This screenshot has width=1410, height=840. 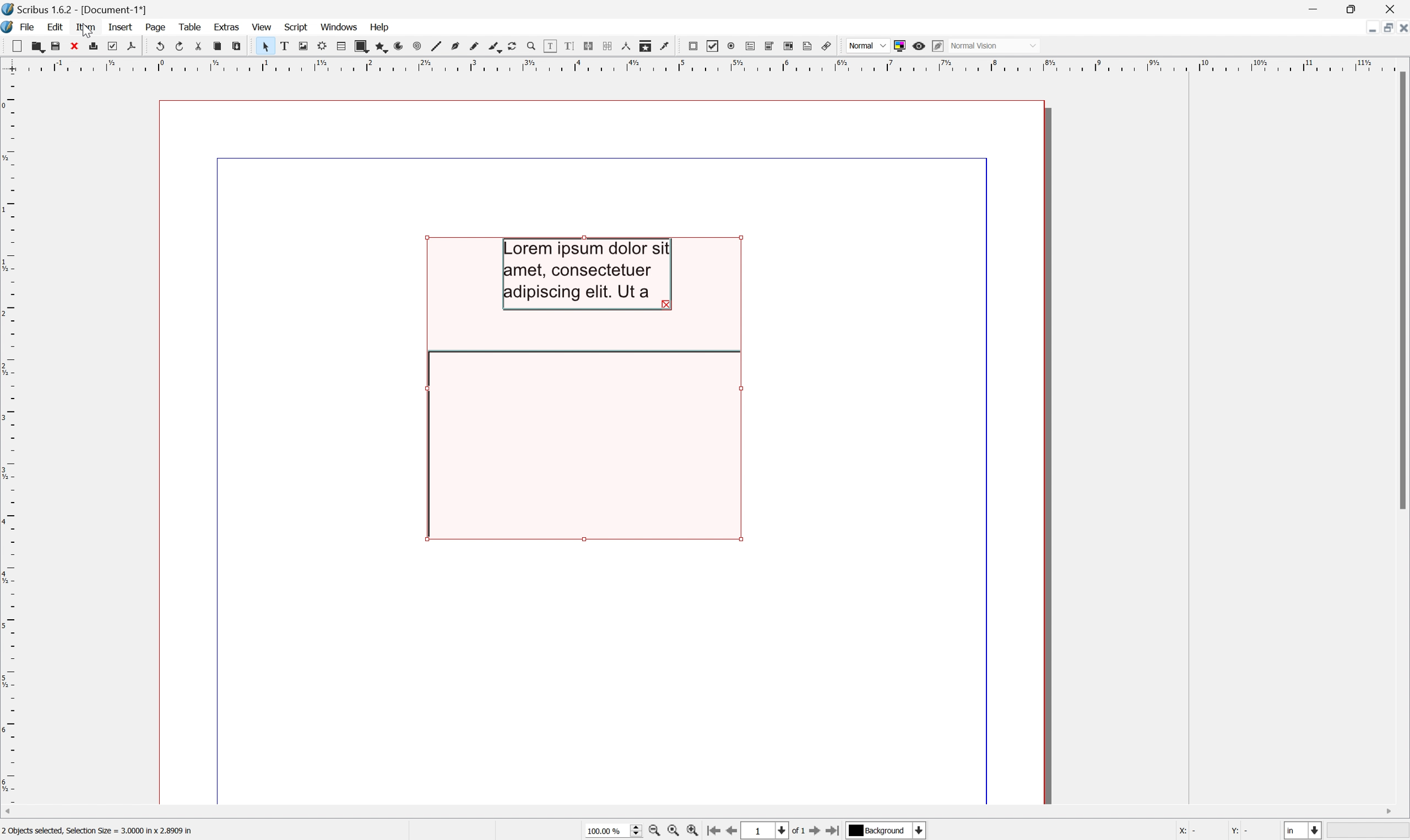 What do you see at coordinates (361, 44) in the screenshot?
I see `Shape` at bounding box center [361, 44].